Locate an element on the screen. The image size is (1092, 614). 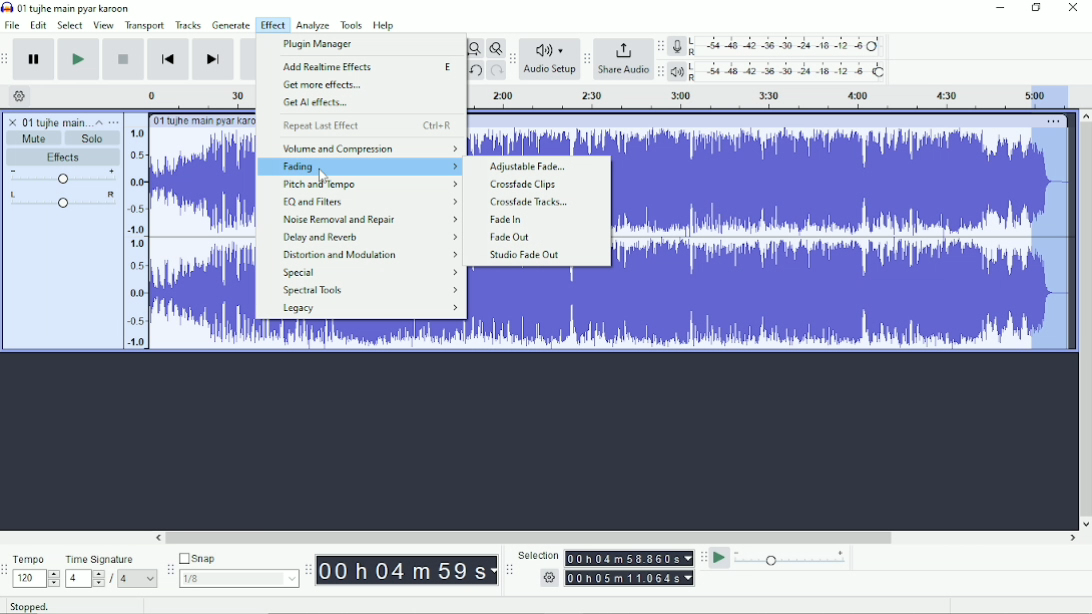
Collapse is located at coordinates (101, 123).